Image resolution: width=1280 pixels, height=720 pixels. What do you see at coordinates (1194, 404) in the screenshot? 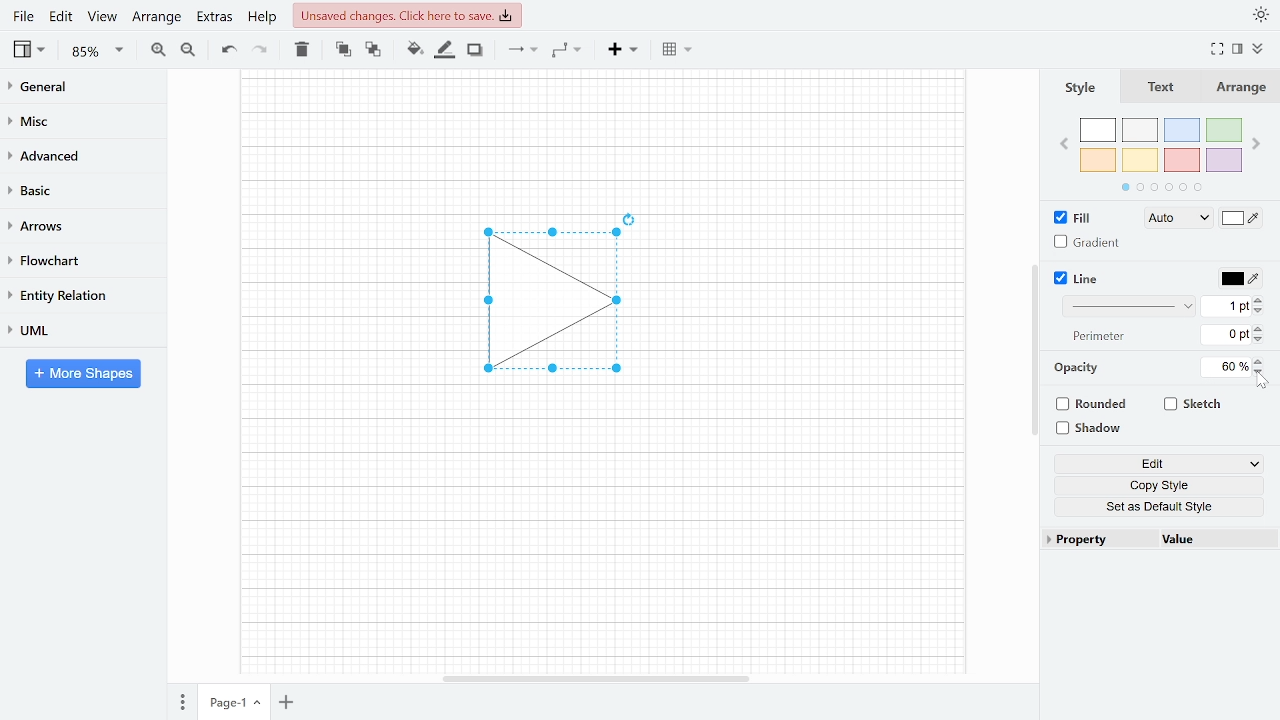
I see `Sketch` at bounding box center [1194, 404].